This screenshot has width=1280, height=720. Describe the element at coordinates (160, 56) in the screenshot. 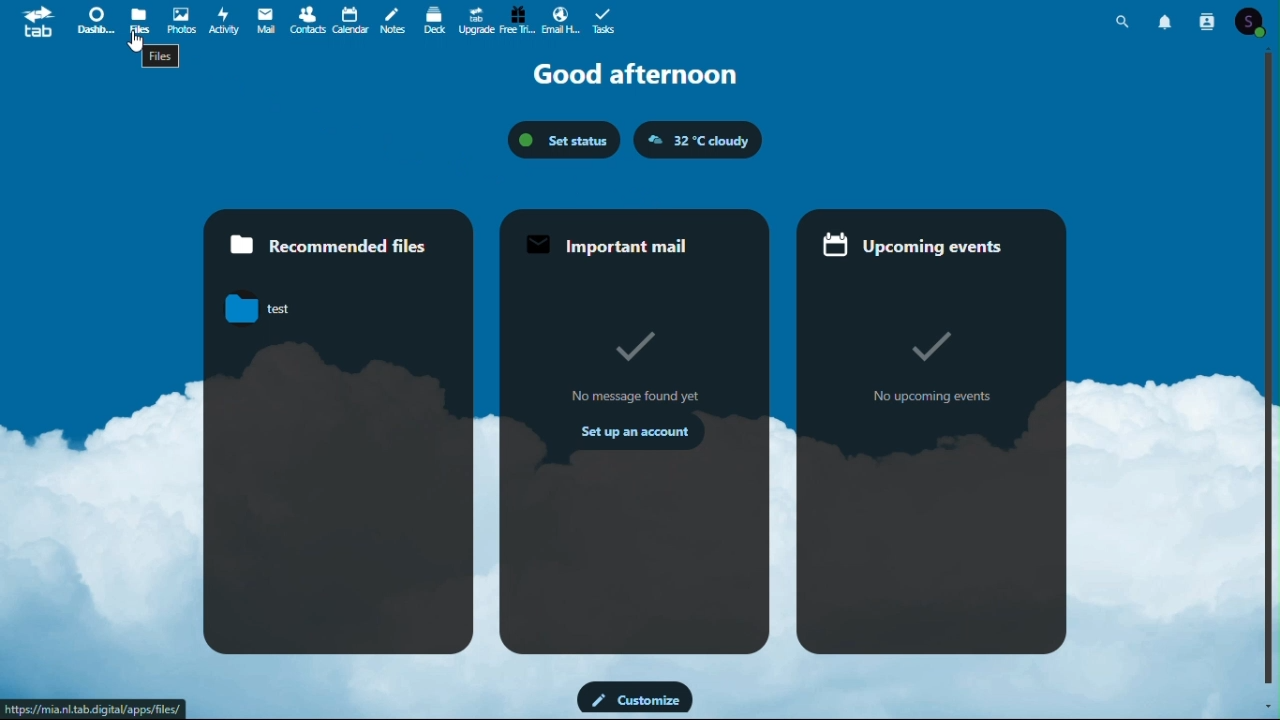

I see `Text` at that location.